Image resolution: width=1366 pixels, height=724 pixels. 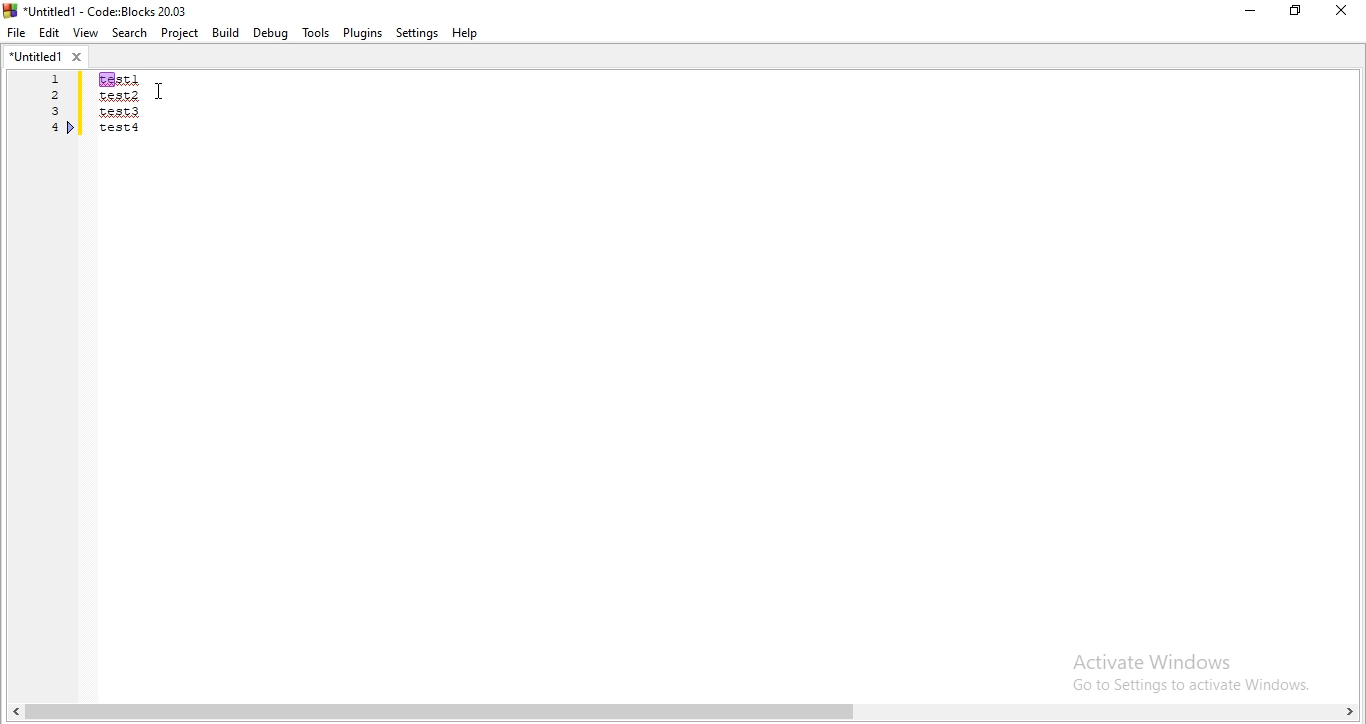 What do you see at coordinates (73, 127) in the screenshot?
I see `bookmark` at bounding box center [73, 127].